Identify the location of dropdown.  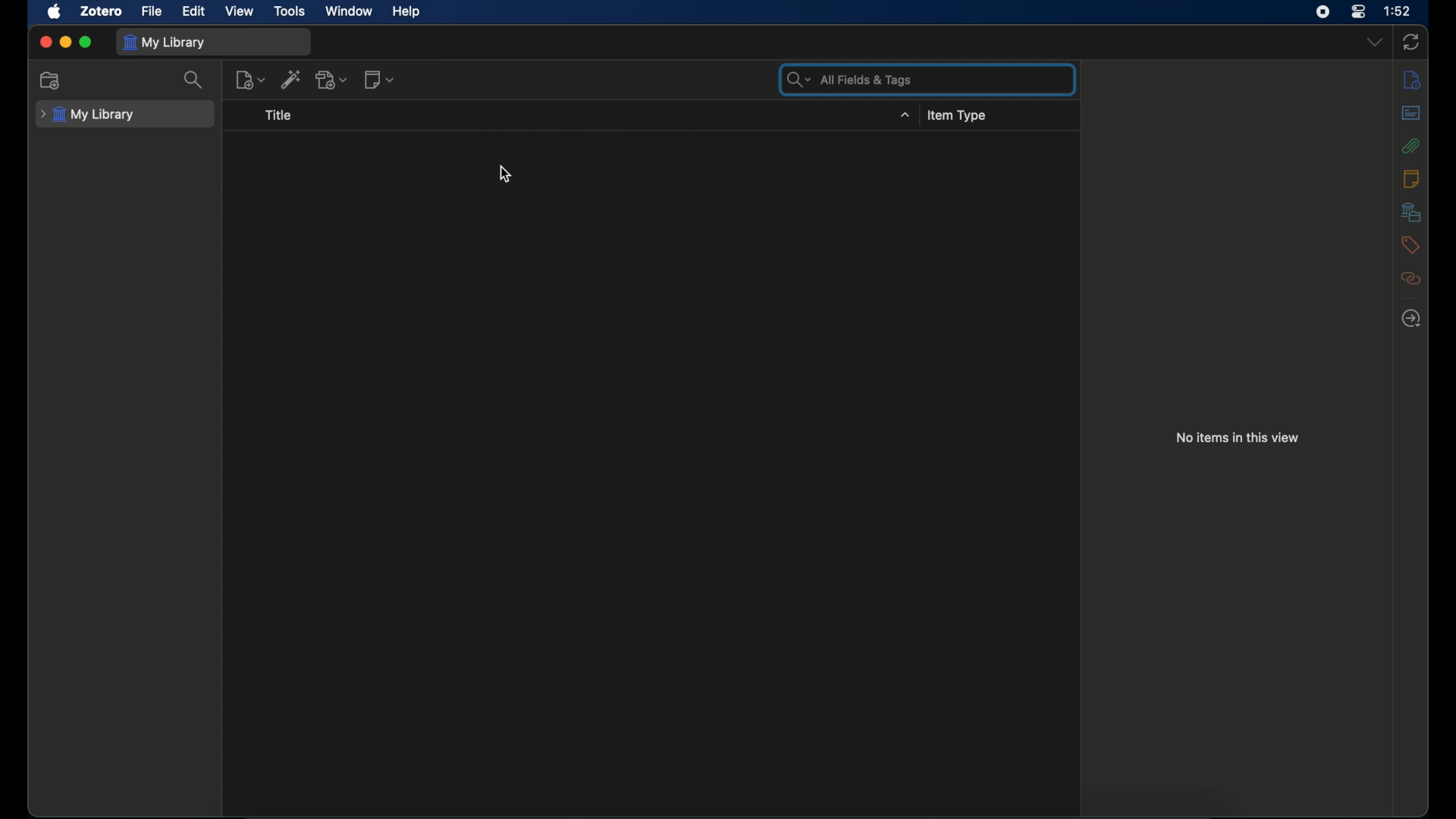
(1375, 42).